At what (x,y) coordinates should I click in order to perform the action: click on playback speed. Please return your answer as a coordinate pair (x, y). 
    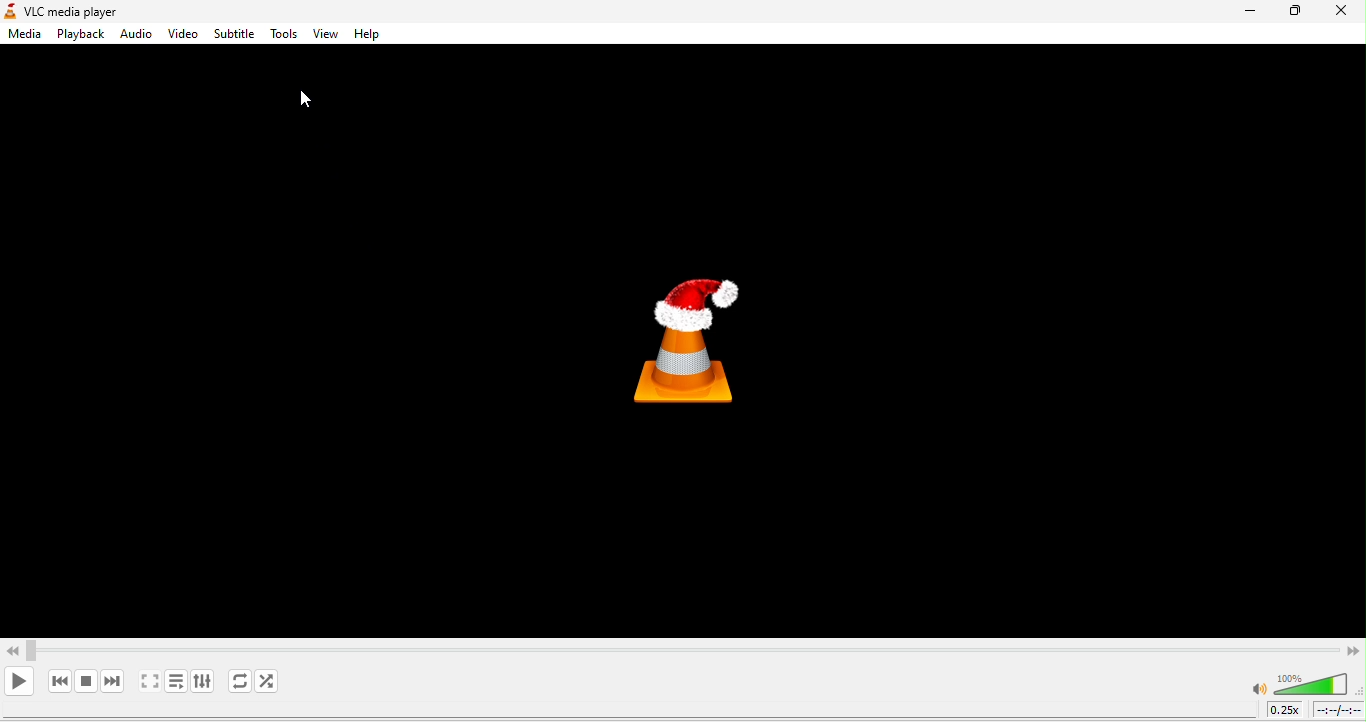
    Looking at the image, I should click on (1285, 711).